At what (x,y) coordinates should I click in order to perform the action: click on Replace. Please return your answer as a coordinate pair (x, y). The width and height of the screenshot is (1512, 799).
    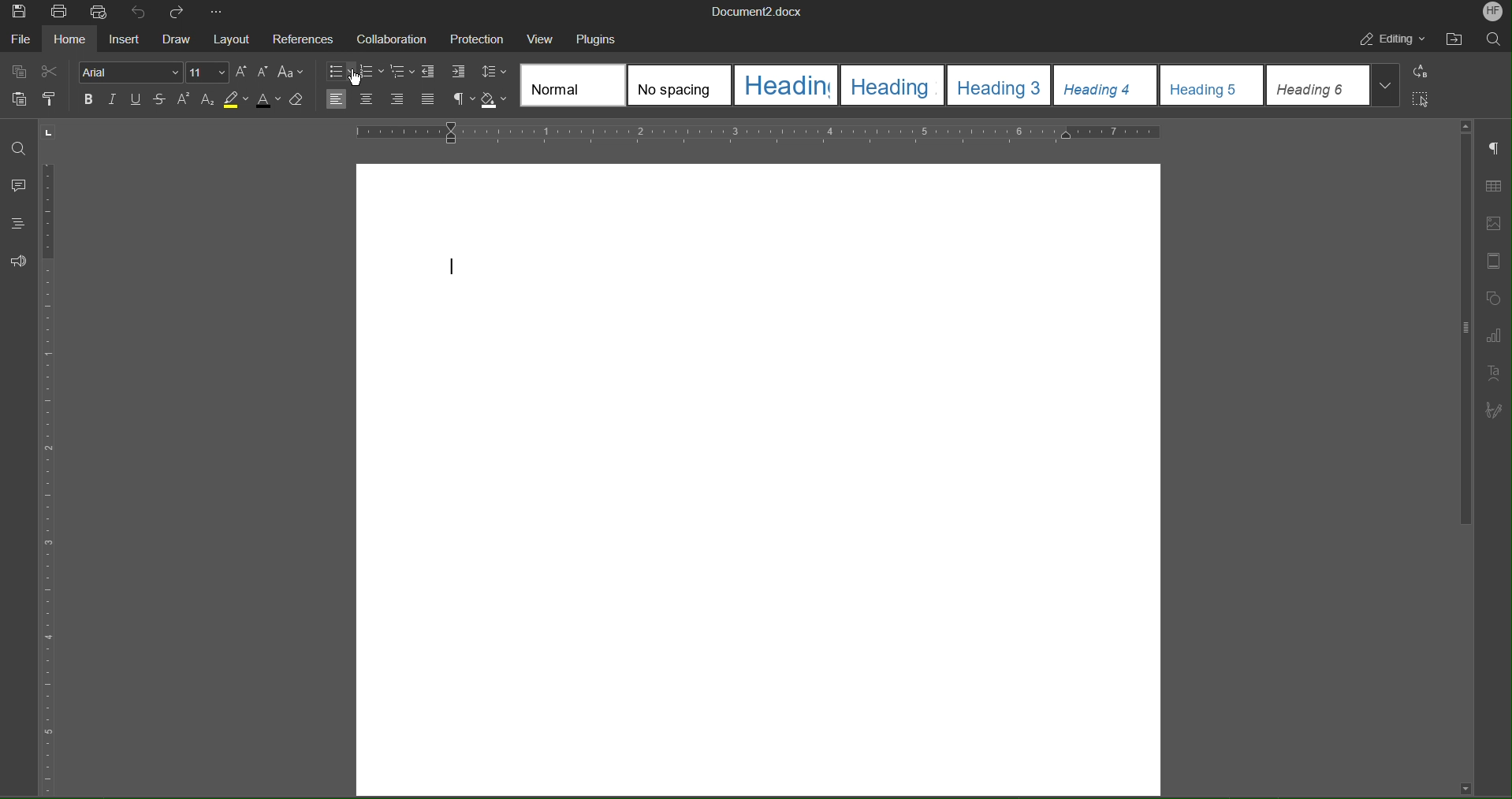
    Looking at the image, I should click on (1423, 72).